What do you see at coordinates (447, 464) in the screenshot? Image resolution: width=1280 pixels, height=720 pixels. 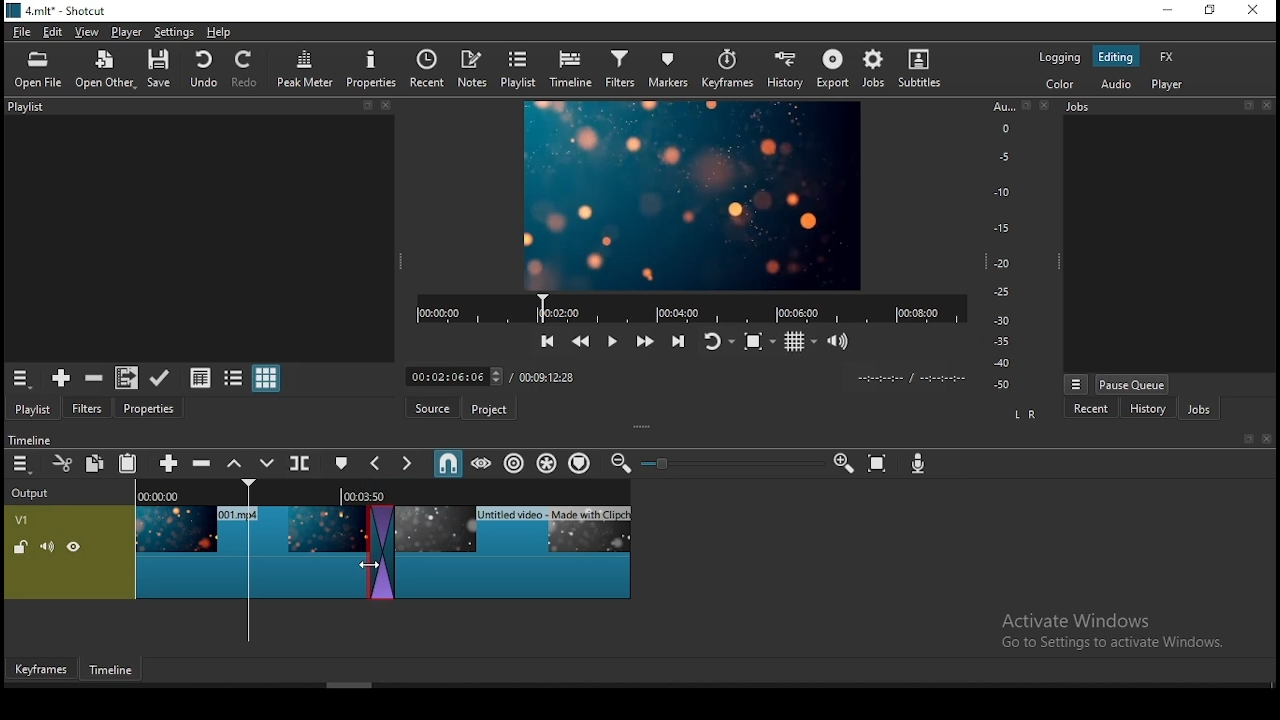 I see `snap` at bounding box center [447, 464].